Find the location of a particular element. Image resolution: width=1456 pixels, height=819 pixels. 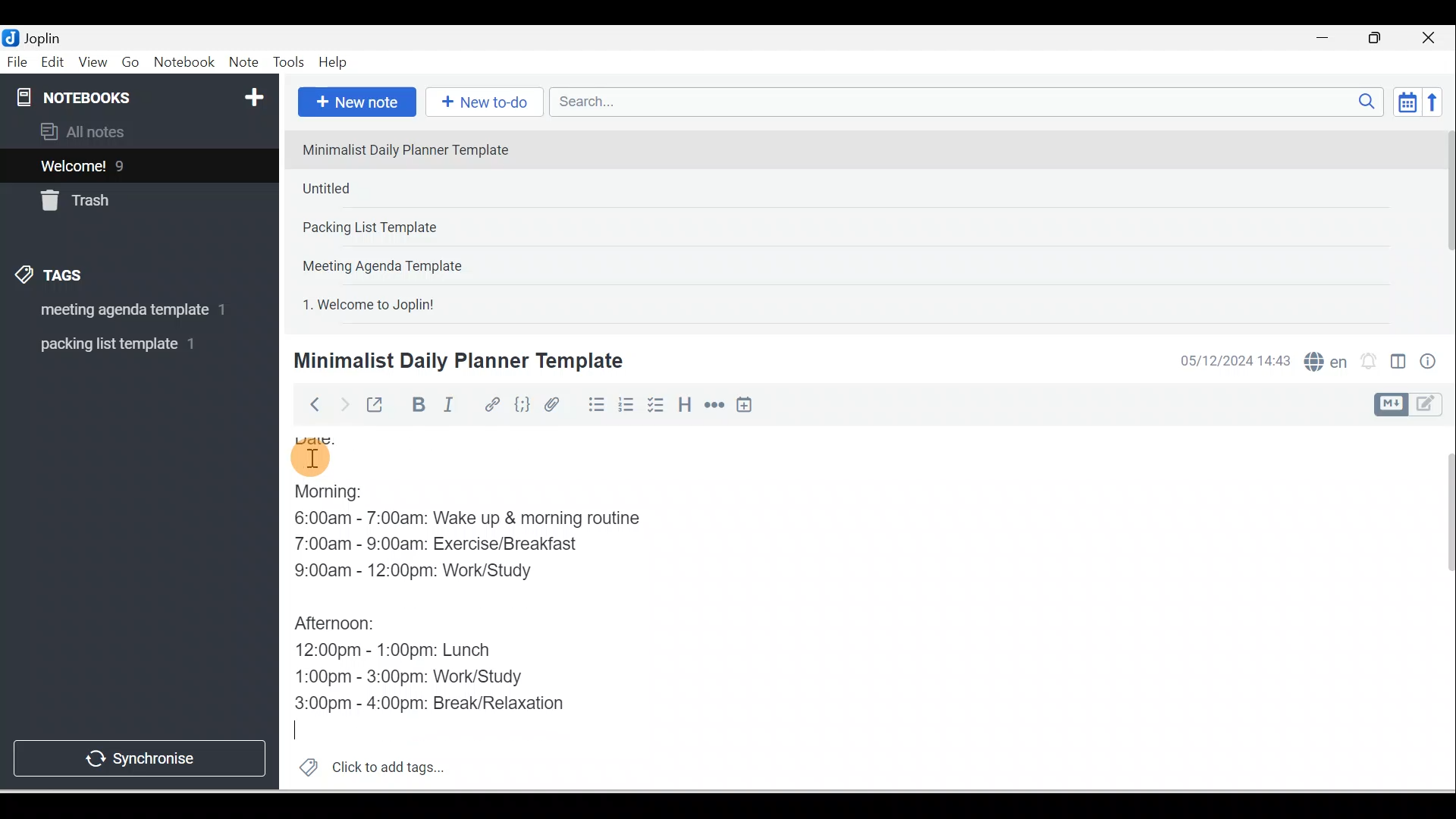

Note 4 is located at coordinates (403, 262).